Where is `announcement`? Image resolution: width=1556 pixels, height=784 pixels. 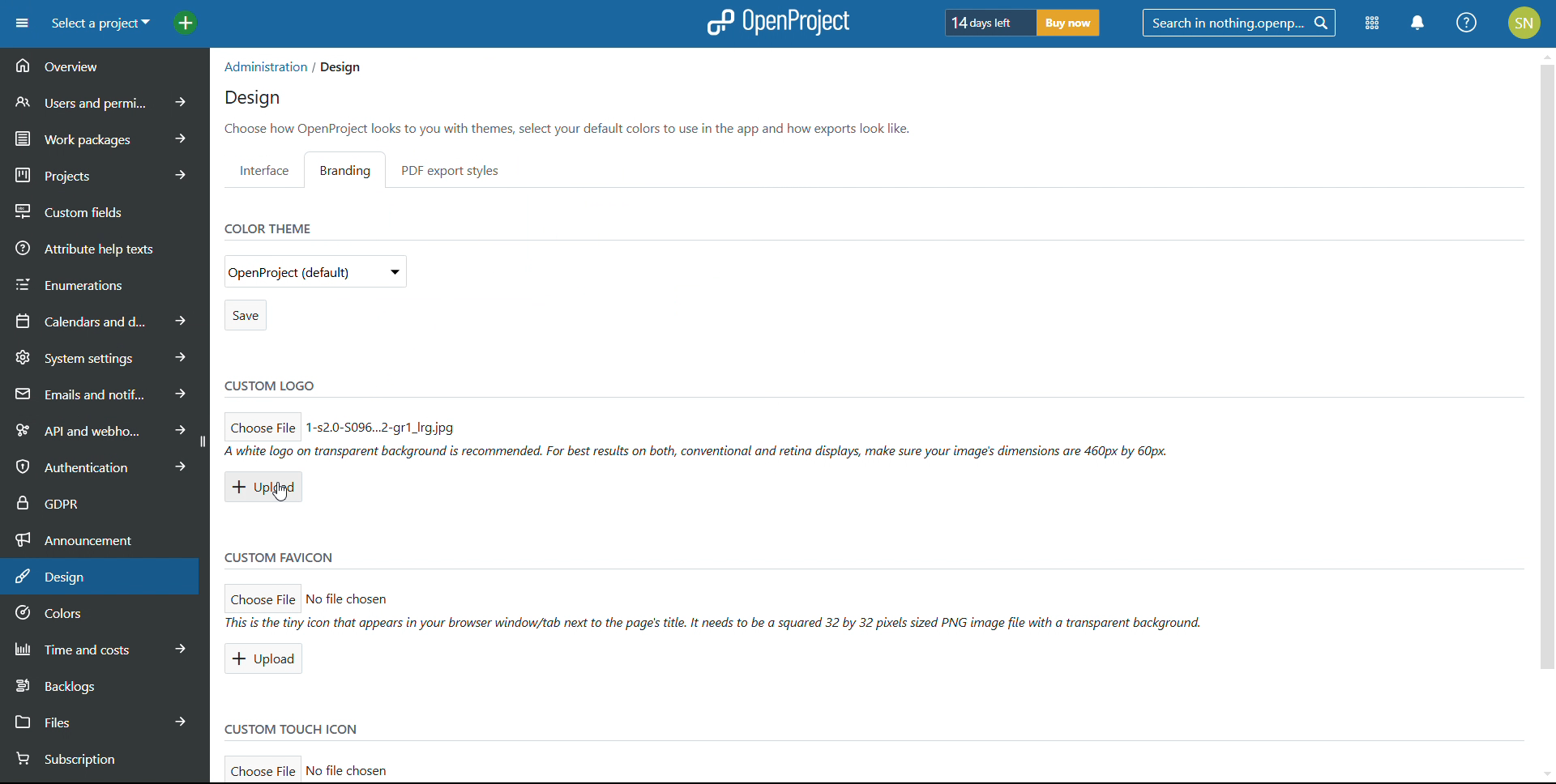 announcement is located at coordinates (104, 538).